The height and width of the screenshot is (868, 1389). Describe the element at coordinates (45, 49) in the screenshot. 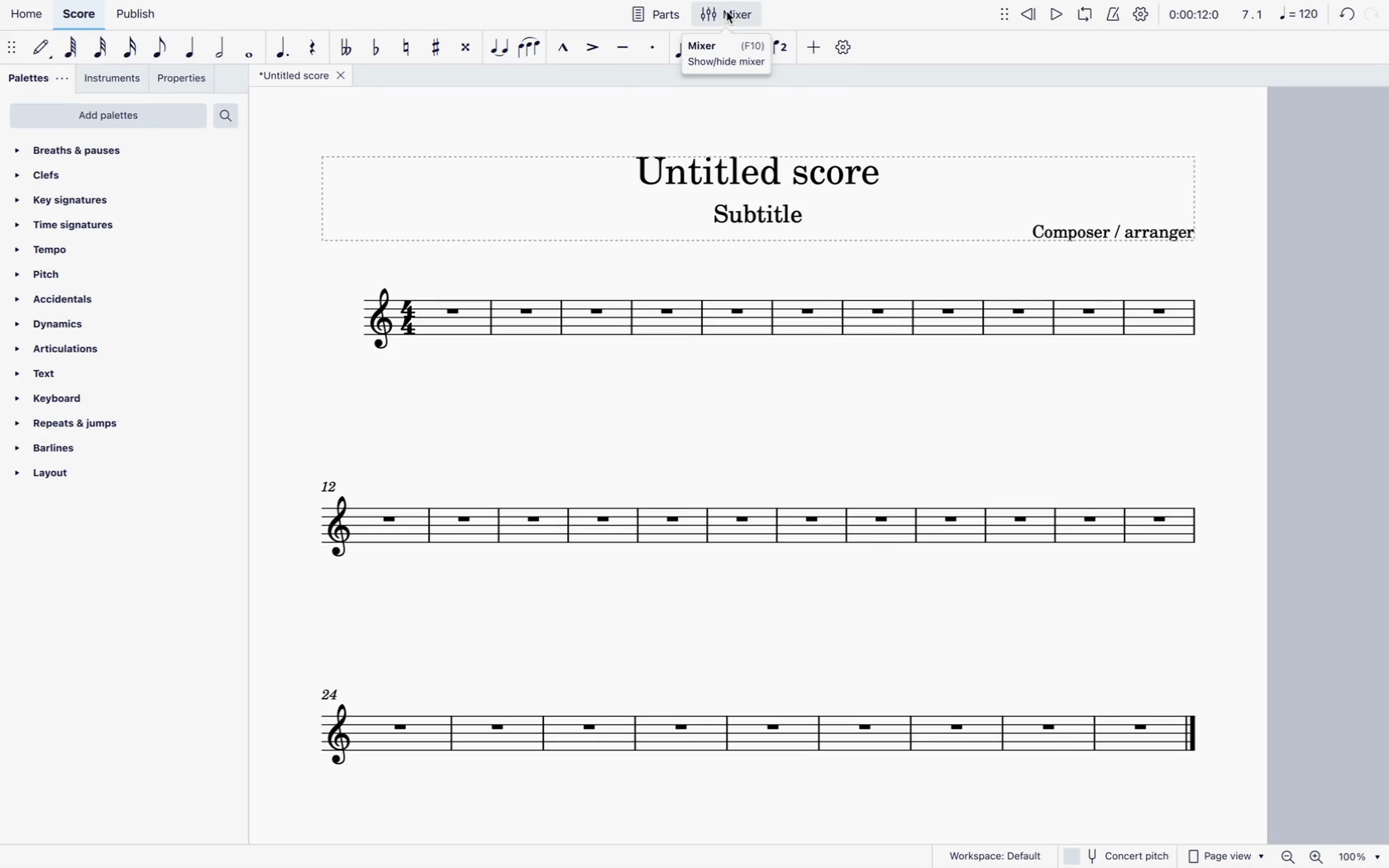

I see `default` at that location.